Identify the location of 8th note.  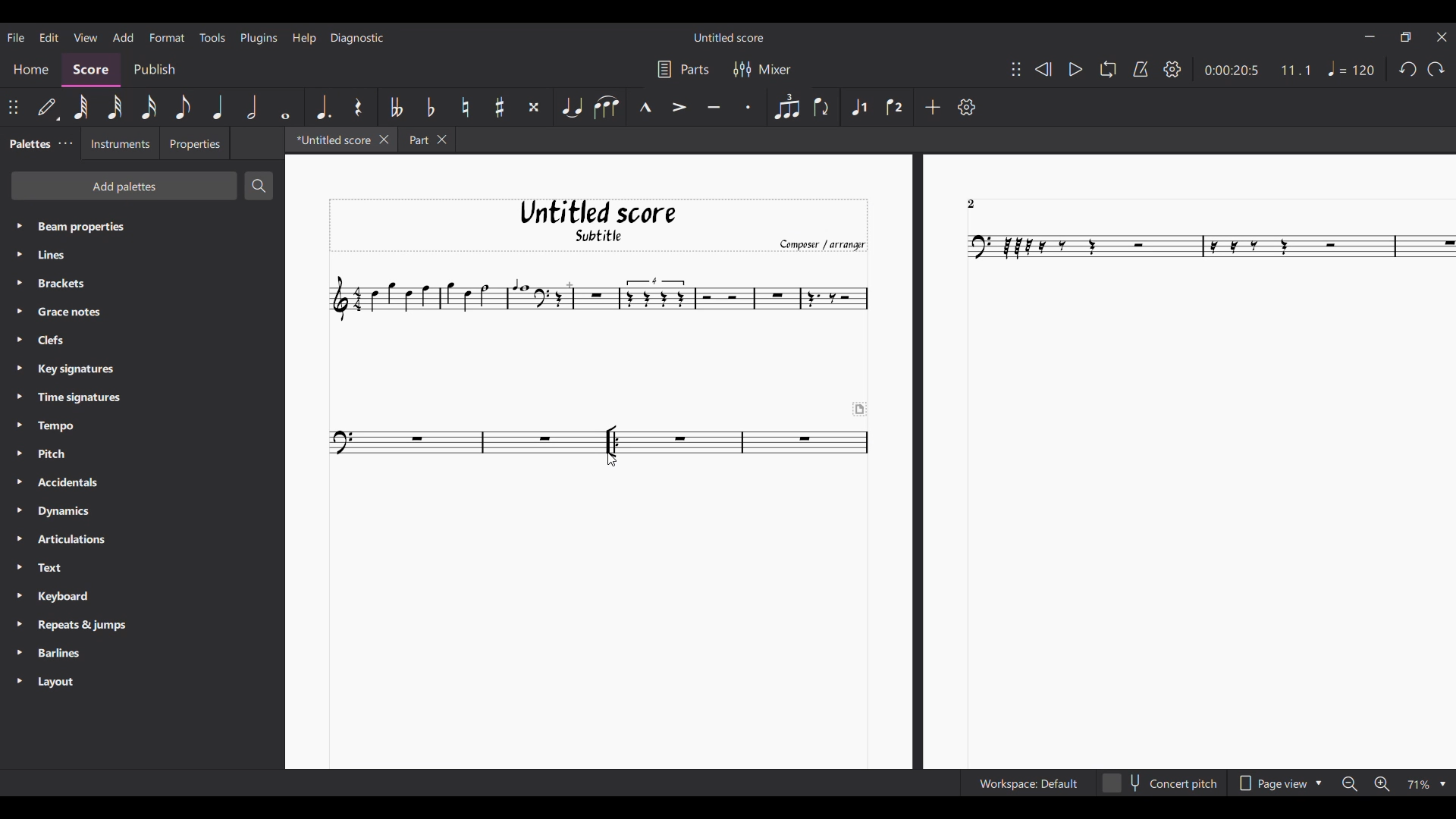
(184, 107).